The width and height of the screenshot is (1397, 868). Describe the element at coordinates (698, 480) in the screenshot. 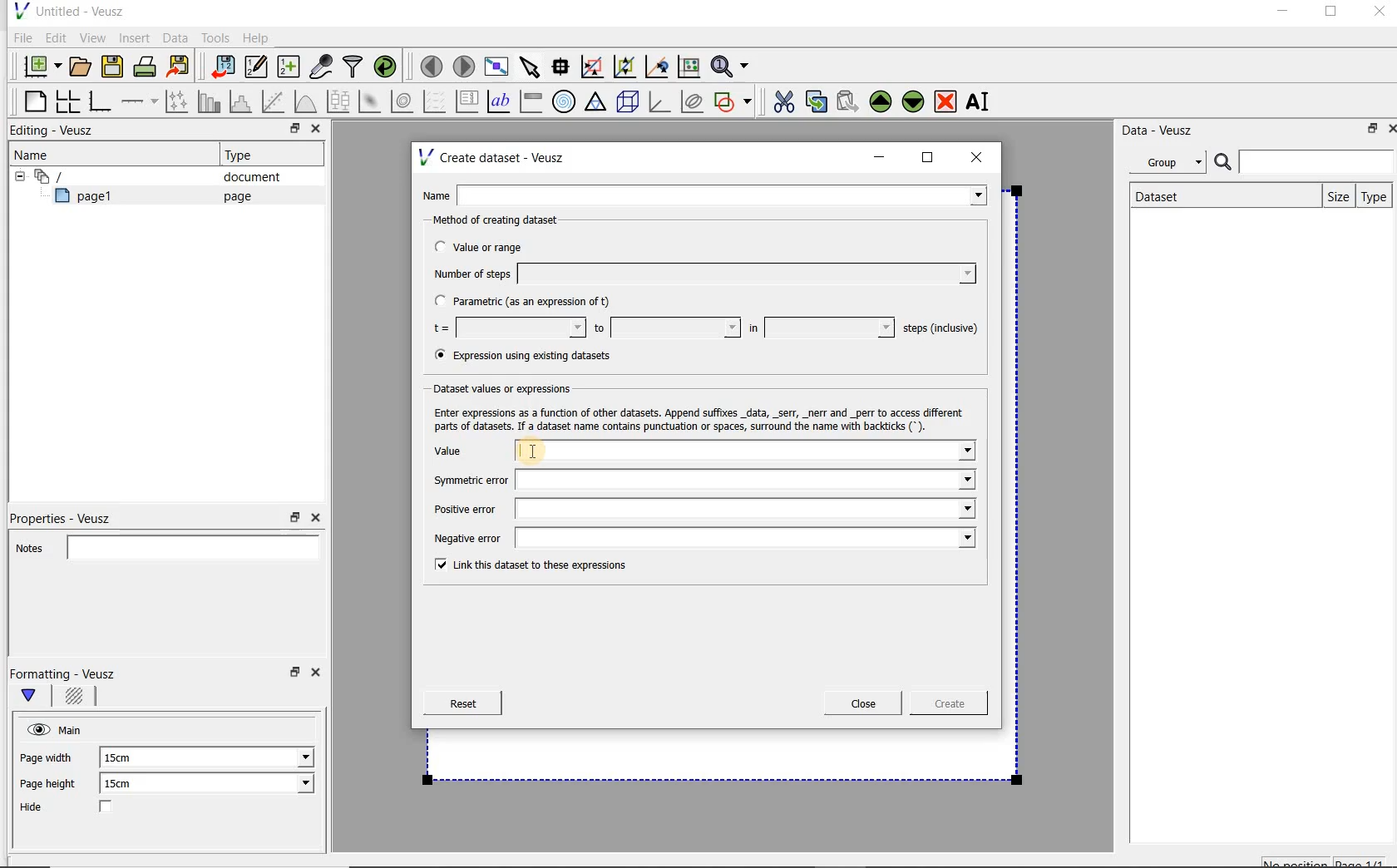

I see `Symmetric error` at that location.